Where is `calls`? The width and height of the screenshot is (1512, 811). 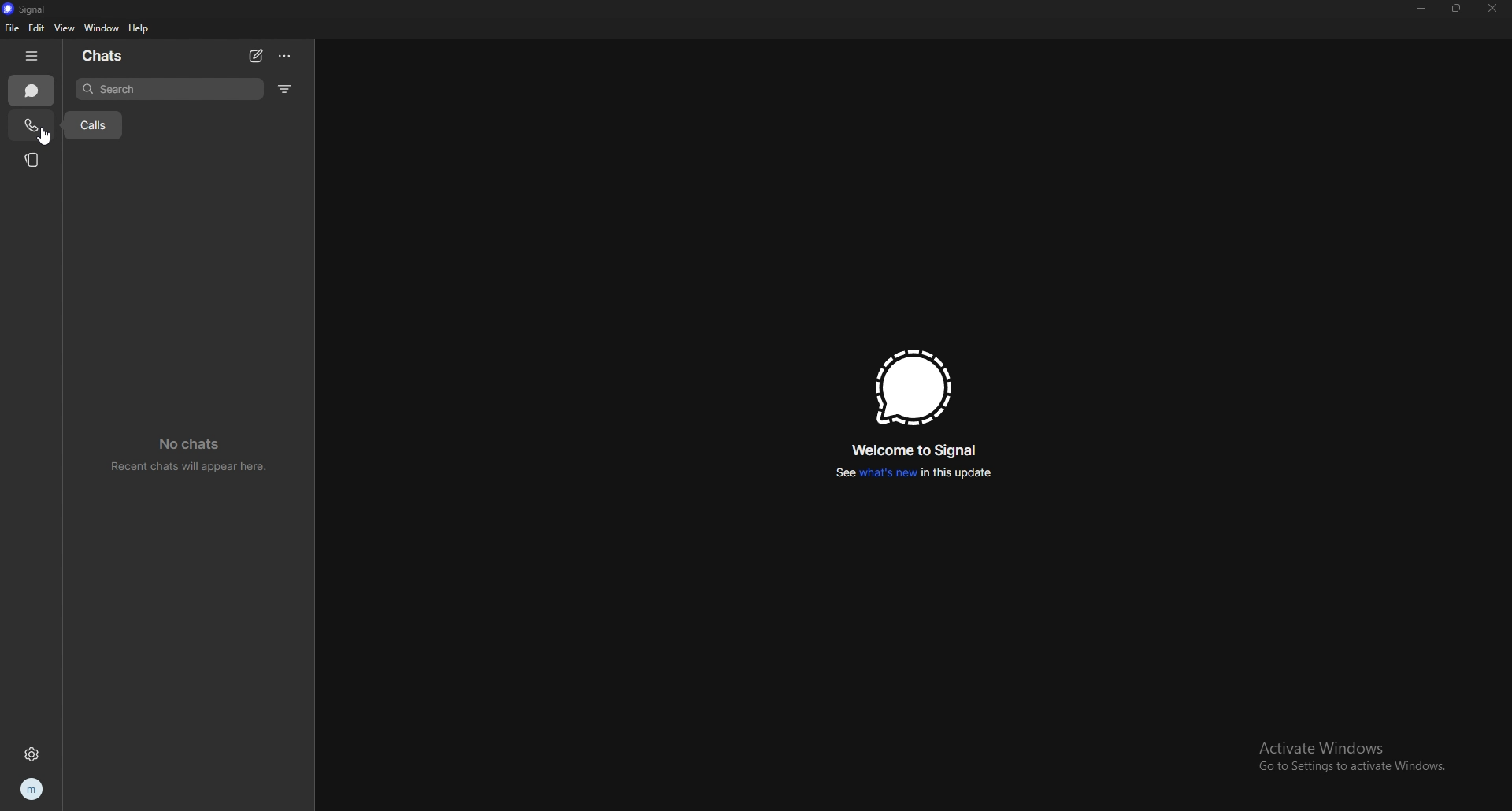 calls is located at coordinates (91, 125).